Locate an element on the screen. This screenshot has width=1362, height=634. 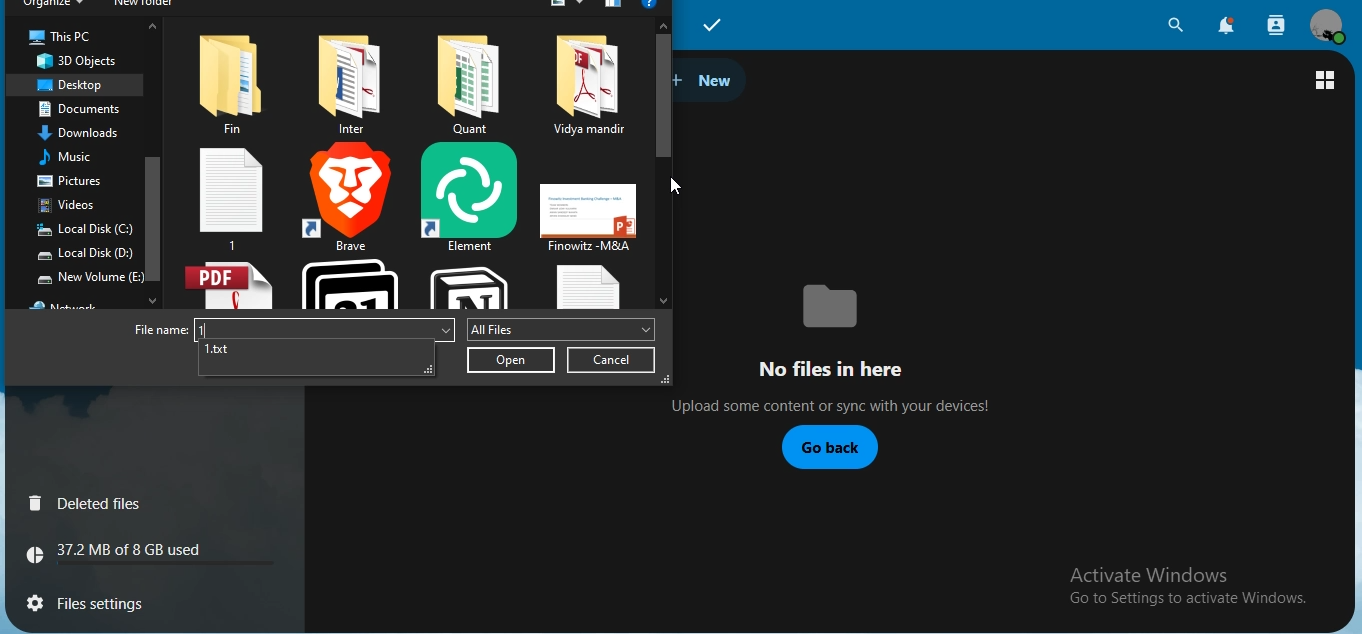
files settings is located at coordinates (117, 600).